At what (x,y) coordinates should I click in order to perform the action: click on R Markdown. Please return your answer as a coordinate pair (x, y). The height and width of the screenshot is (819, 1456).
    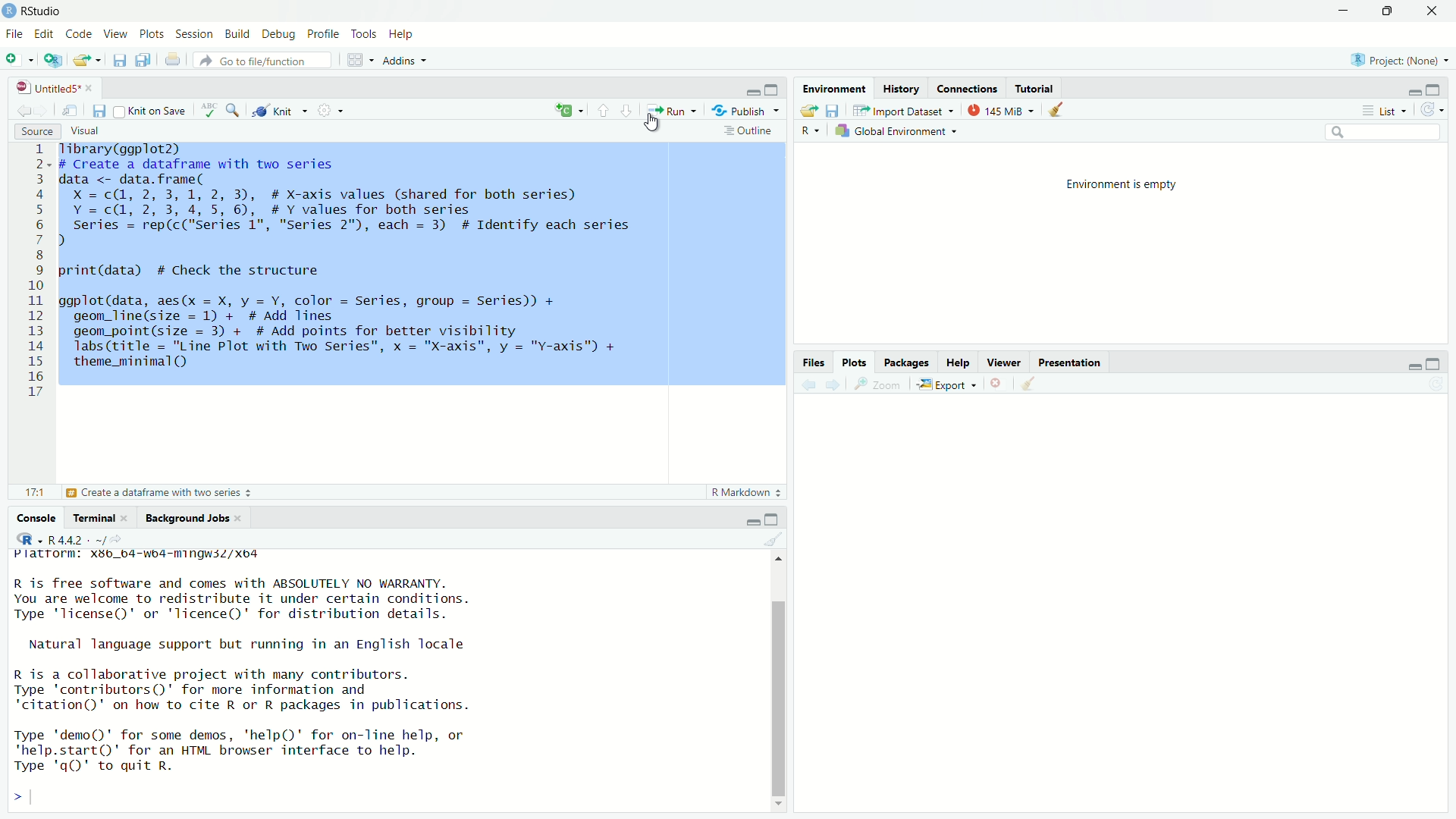
    Looking at the image, I should click on (746, 493).